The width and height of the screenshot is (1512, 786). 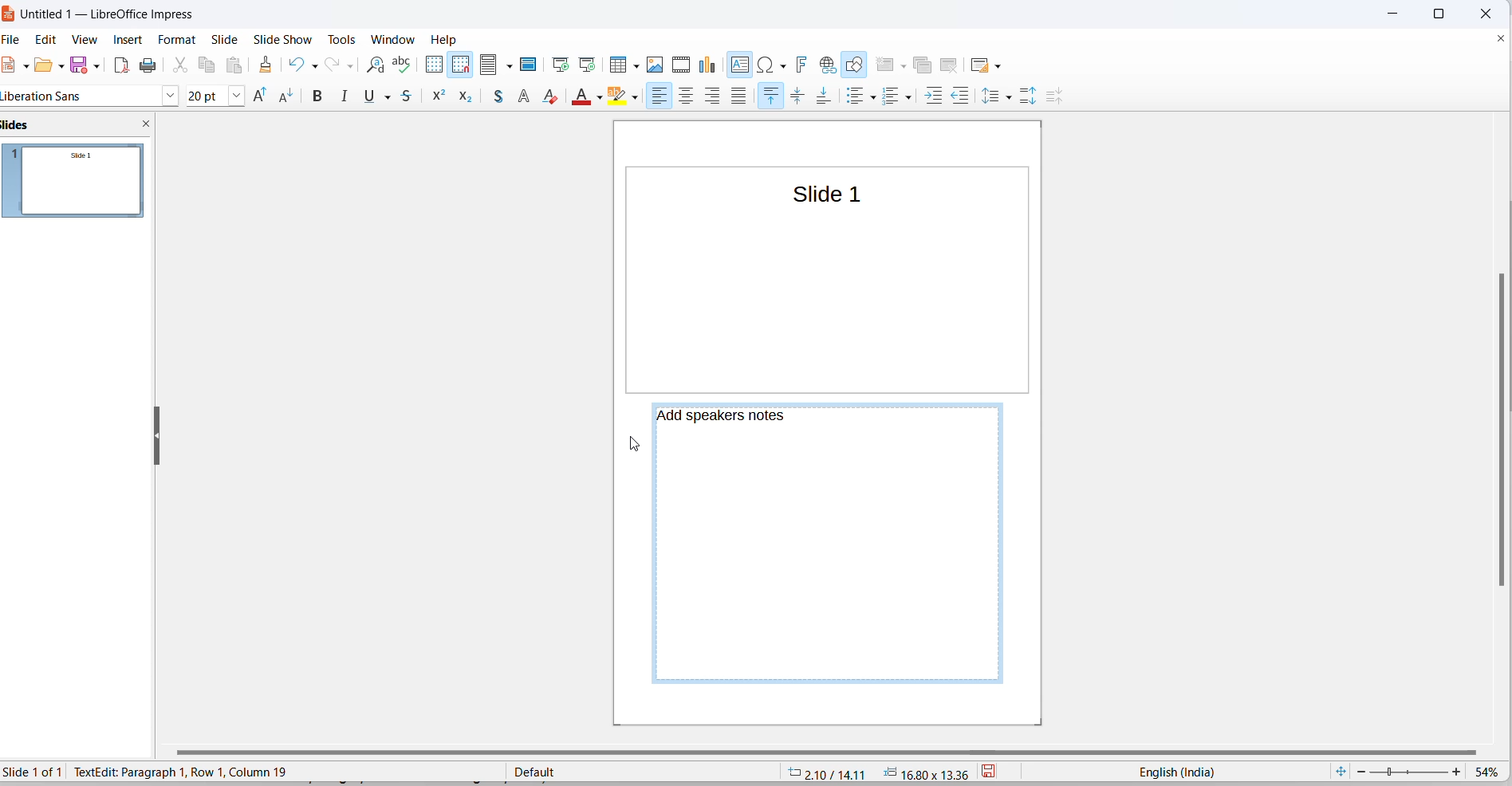 I want to click on save, so click(x=993, y=772).